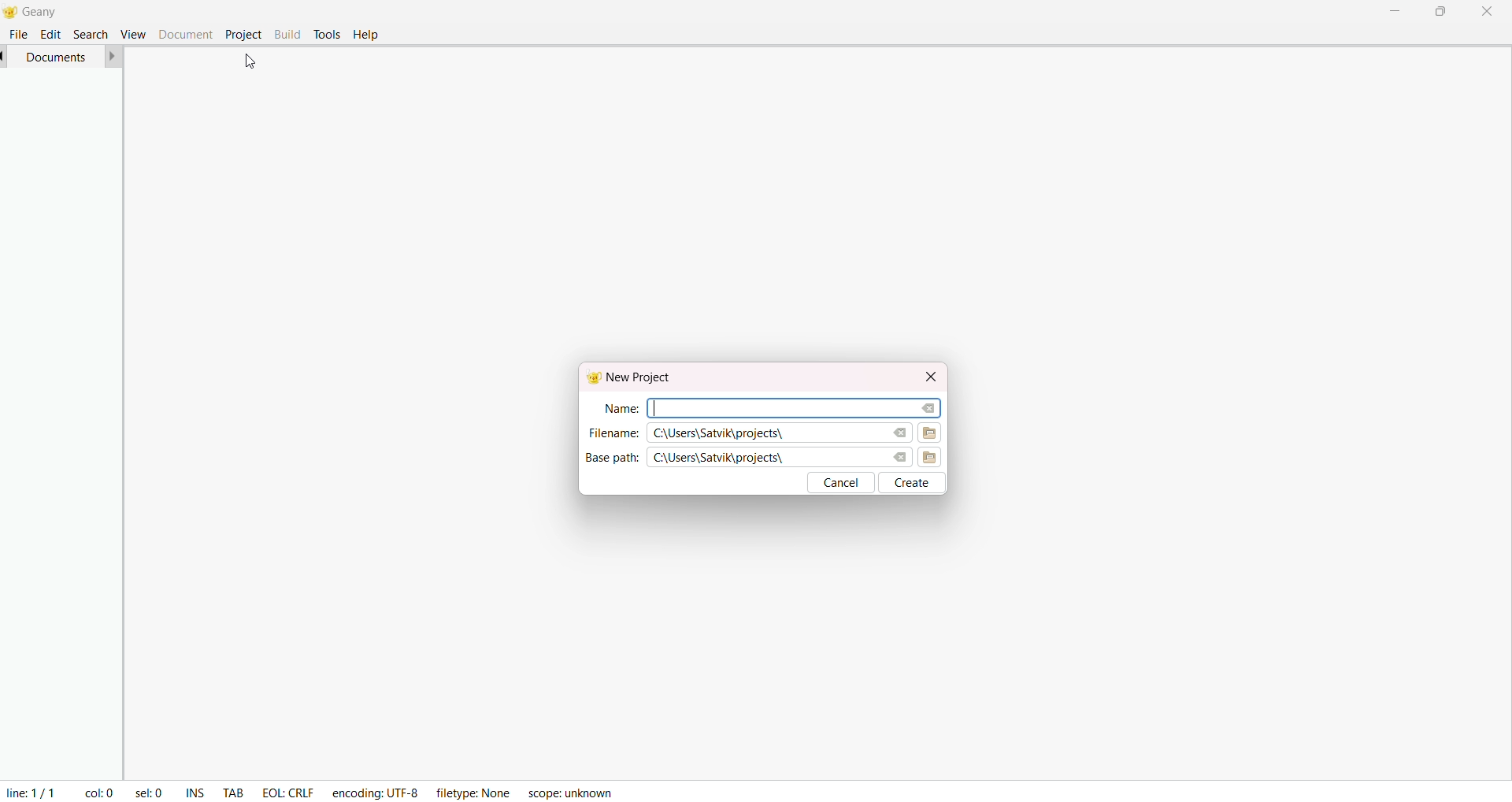 Image resolution: width=1512 pixels, height=802 pixels. I want to click on view, so click(132, 33).